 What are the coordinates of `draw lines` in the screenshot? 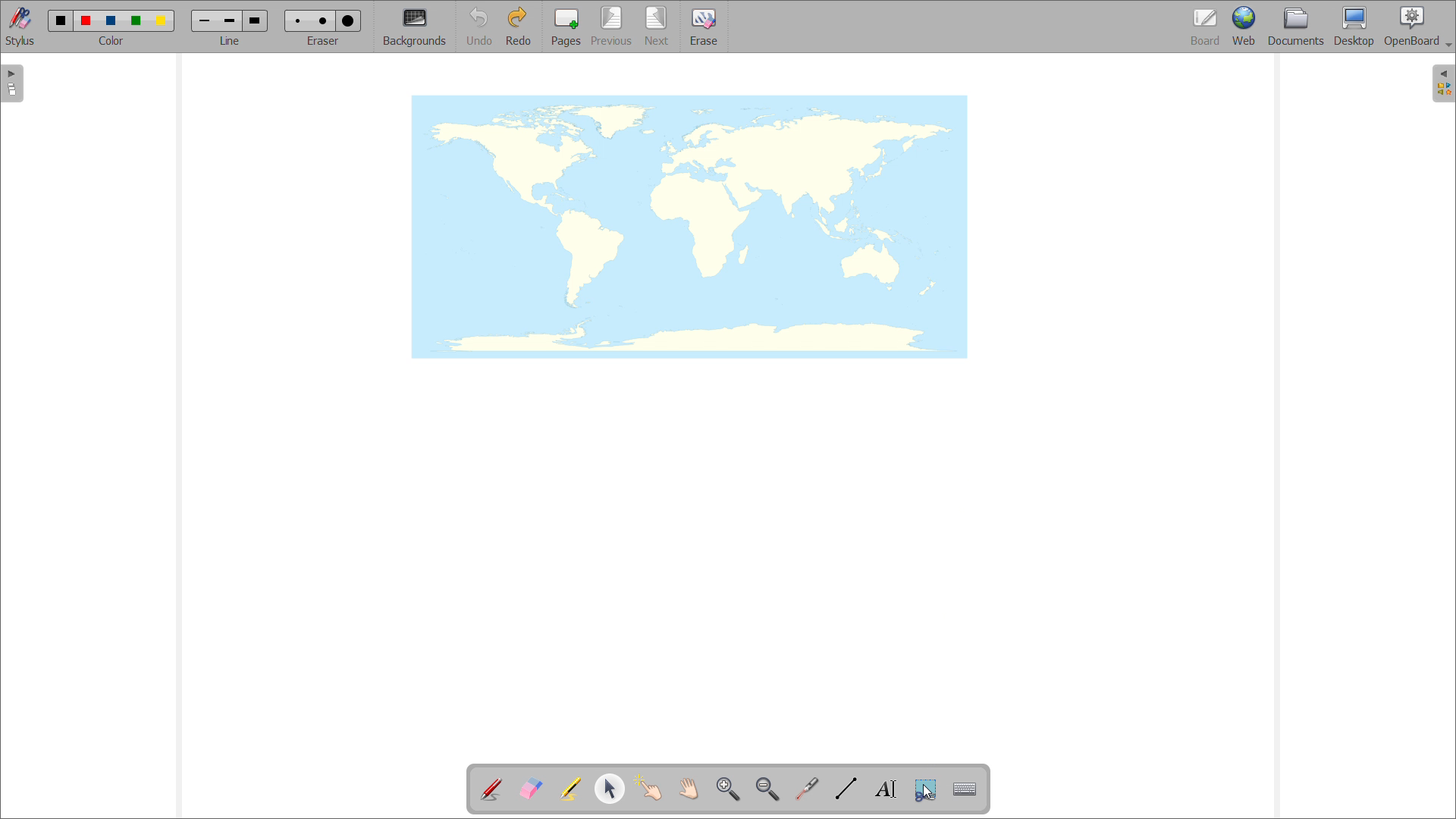 It's located at (846, 789).